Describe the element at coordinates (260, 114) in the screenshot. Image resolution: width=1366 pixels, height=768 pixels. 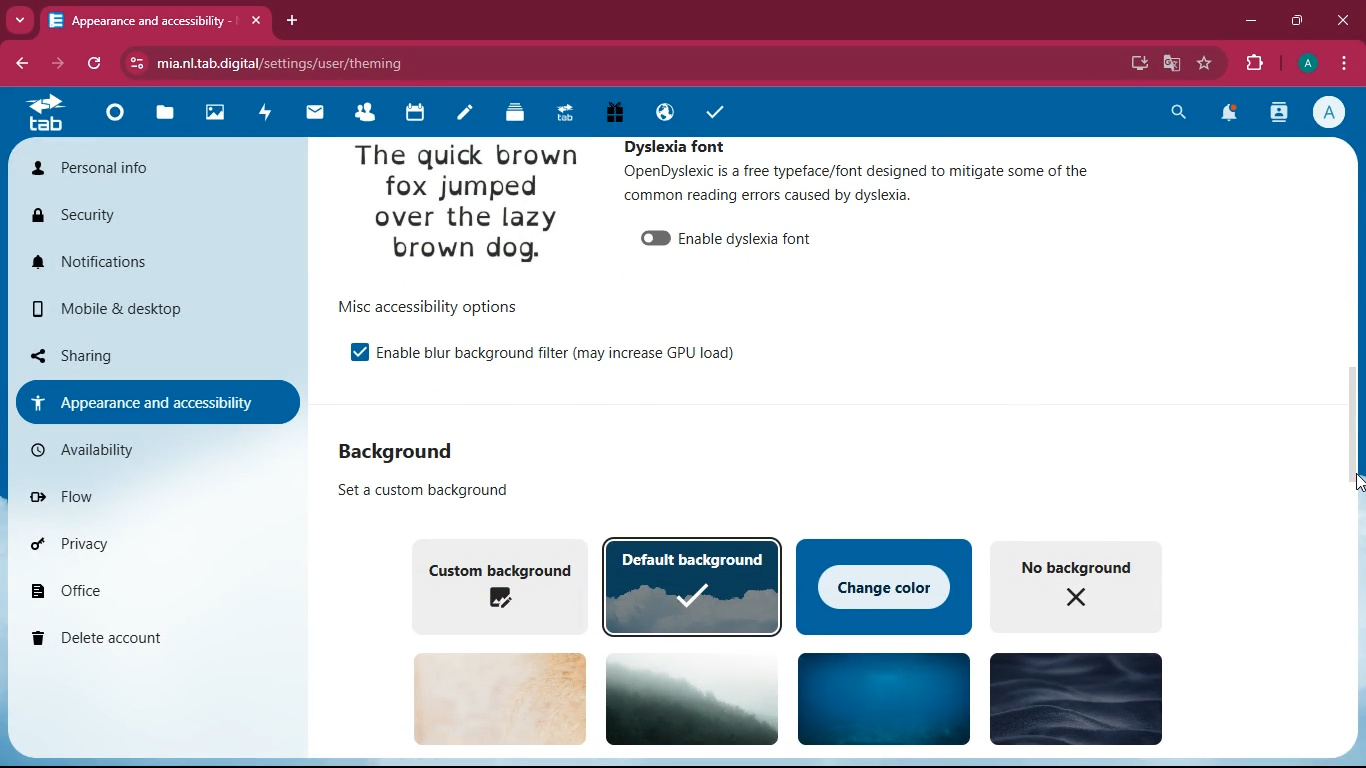
I see `activity` at that location.